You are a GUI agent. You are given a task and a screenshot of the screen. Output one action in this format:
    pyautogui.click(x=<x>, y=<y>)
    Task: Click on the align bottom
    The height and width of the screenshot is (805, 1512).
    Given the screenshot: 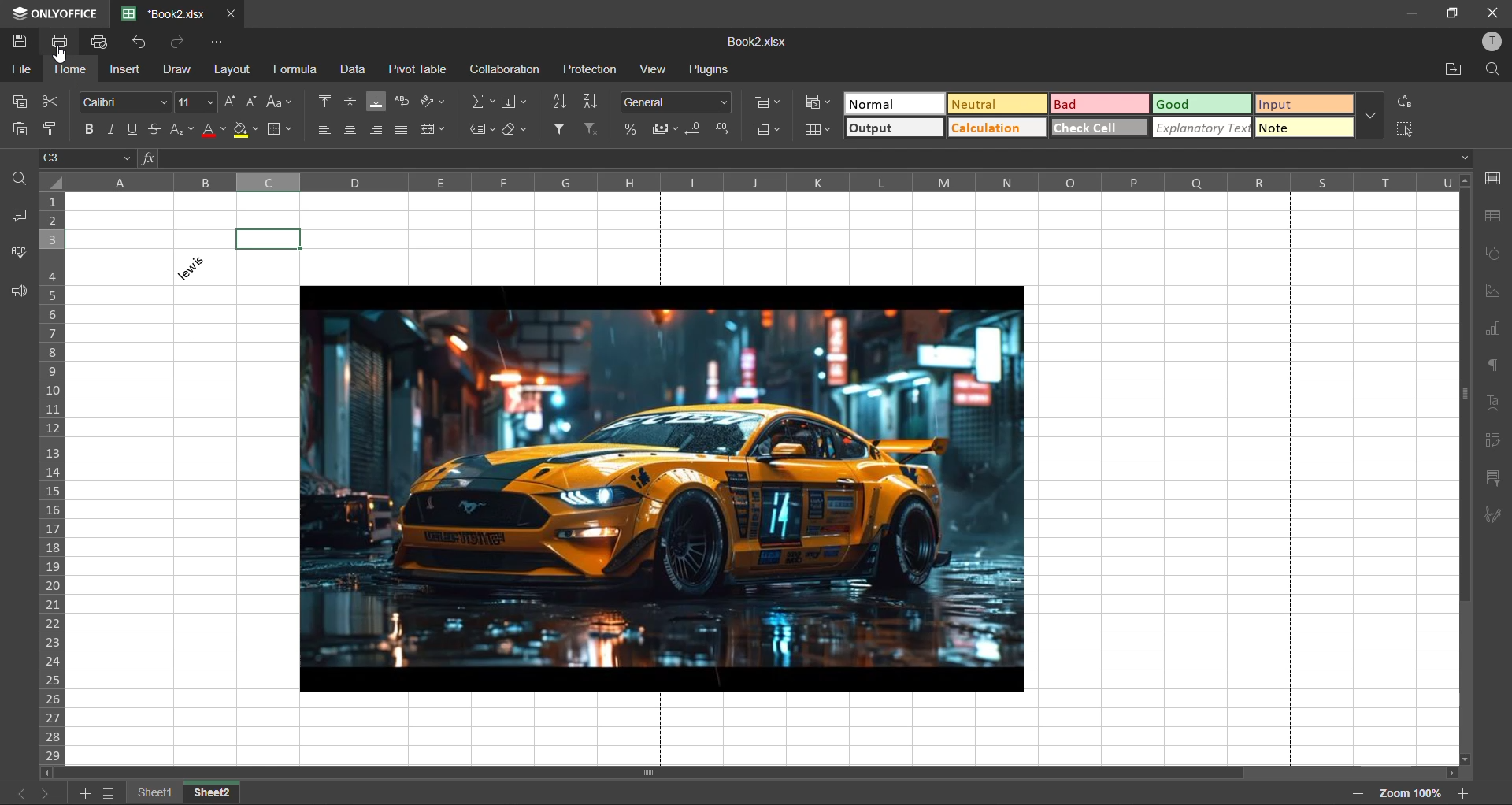 What is the action you would take?
    pyautogui.click(x=372, y=102)
    